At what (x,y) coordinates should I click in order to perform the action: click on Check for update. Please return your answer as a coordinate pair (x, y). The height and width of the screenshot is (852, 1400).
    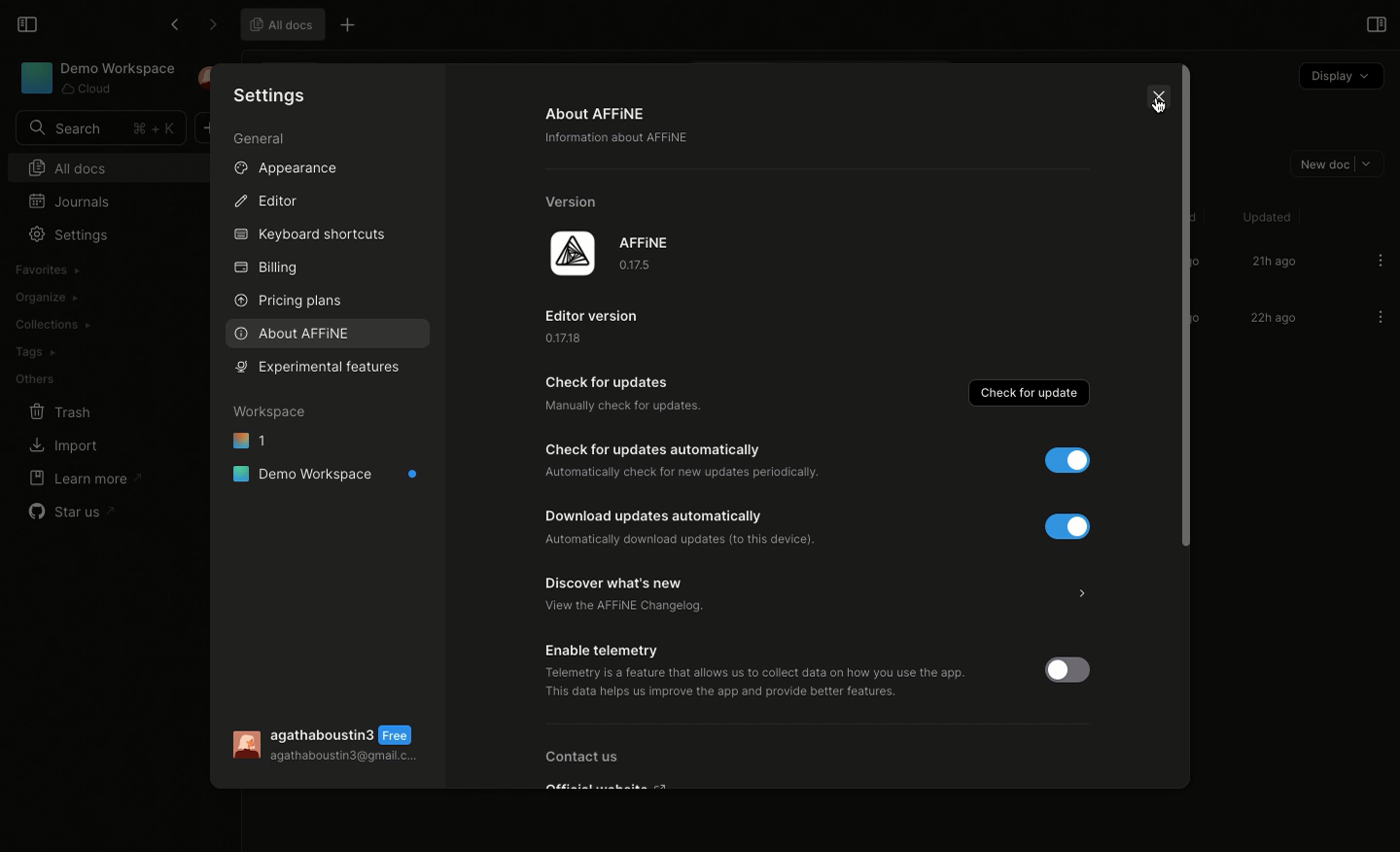
    Looking at the image, I should click on (1032, 392).